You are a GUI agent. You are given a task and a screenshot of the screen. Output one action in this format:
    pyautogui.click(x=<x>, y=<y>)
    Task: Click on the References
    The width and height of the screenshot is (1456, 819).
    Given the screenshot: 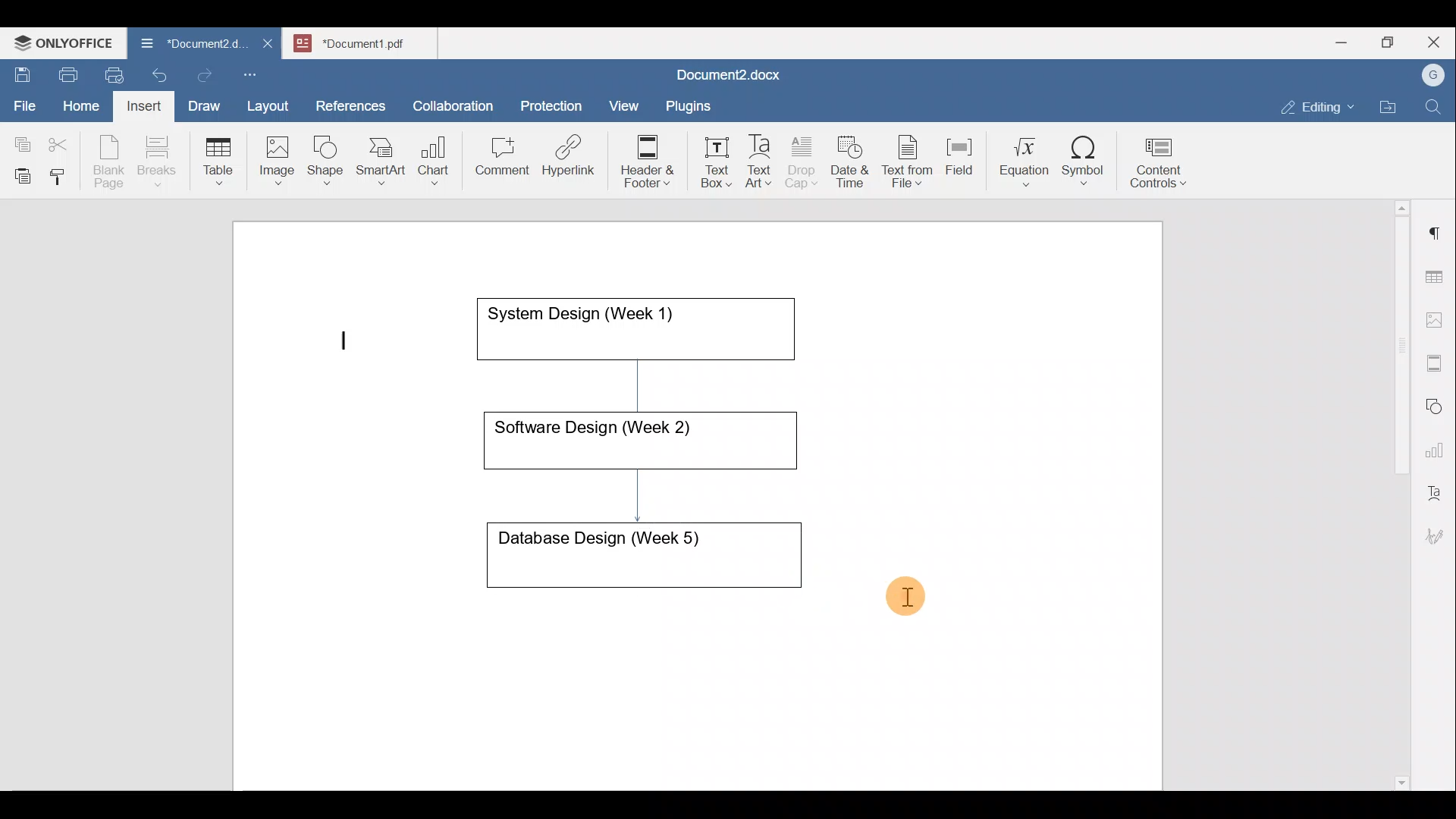 What is the action you would take?
    pyautogui.click(x=350, y=104)
    